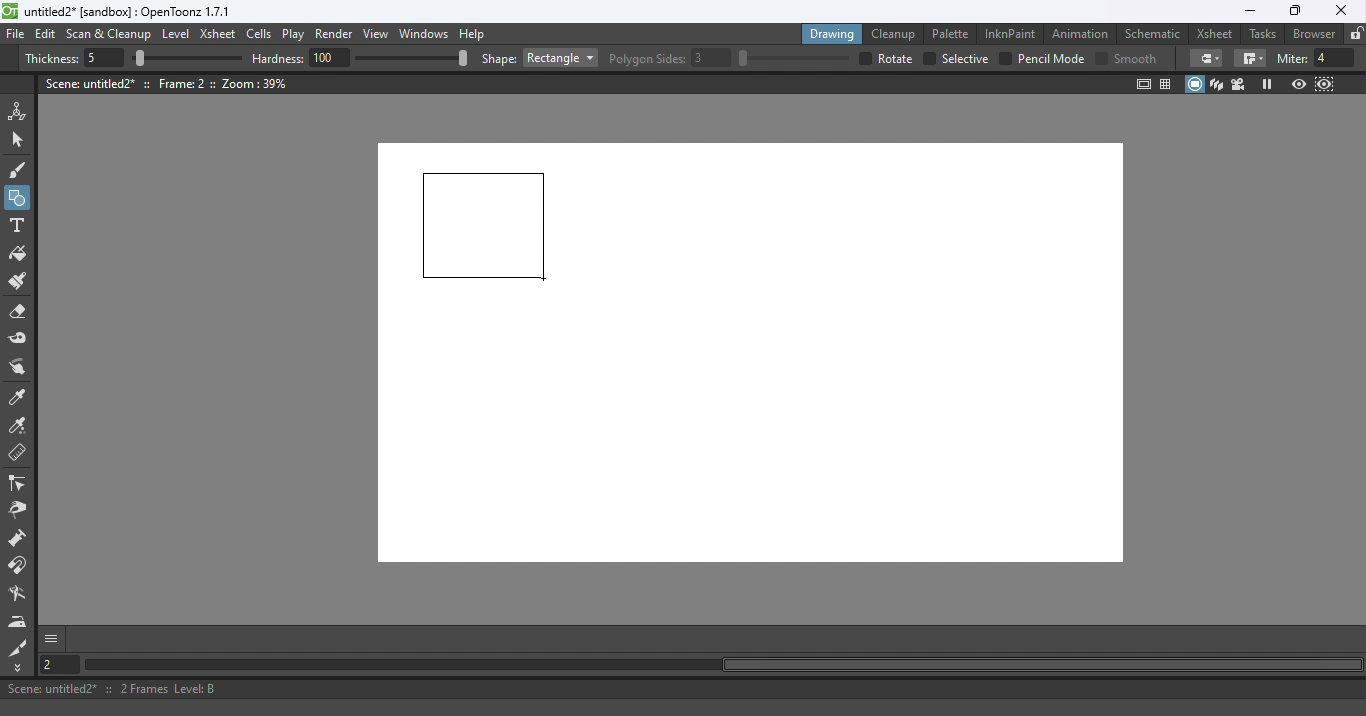  I want to click on Fill tool, so click(18, 256).